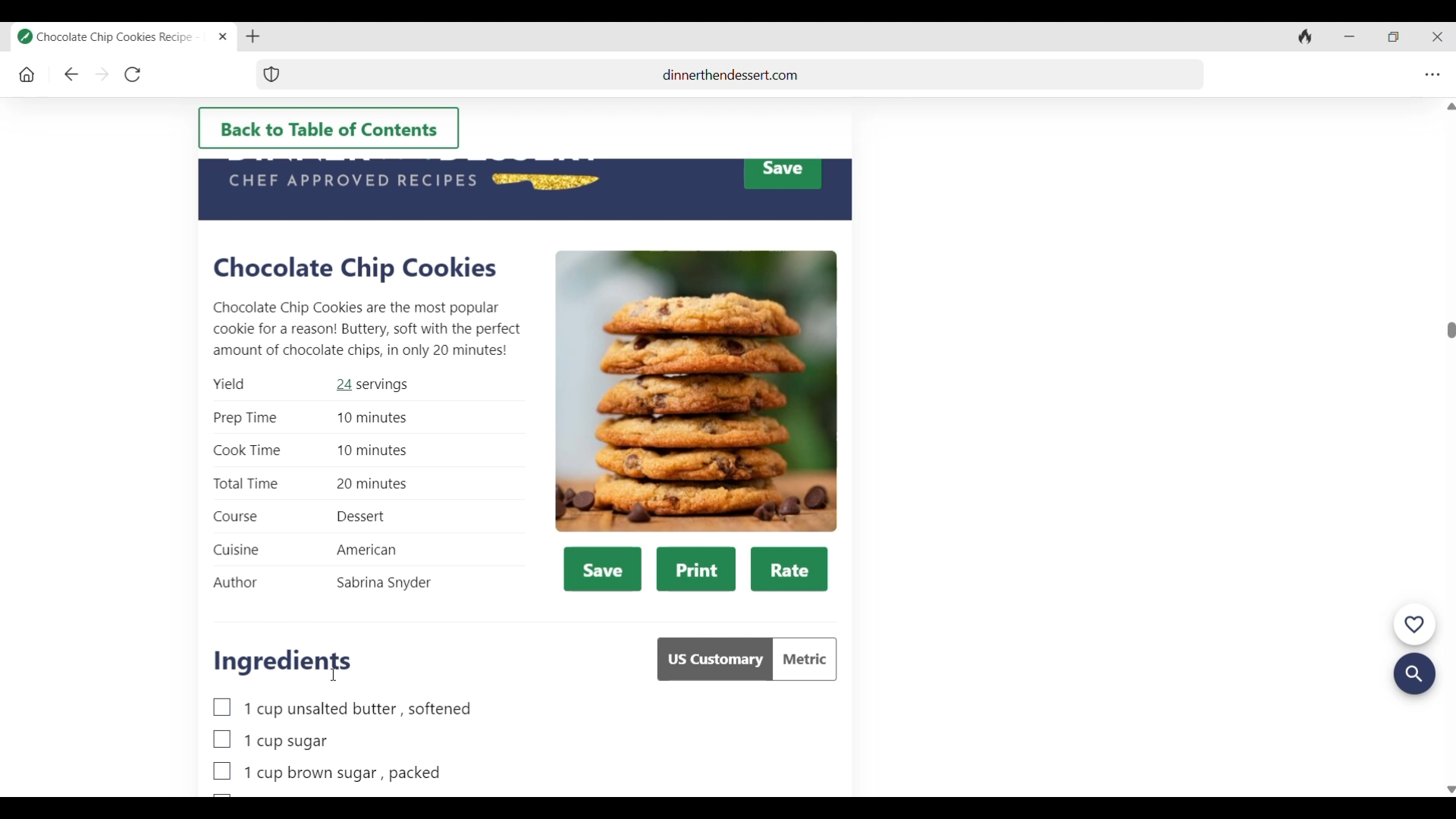 This screenshot has width=1456, height=819. Describe the element at coordinates (744, 74) in the screenshot. I see `dinnerthendessert.com` at that location.